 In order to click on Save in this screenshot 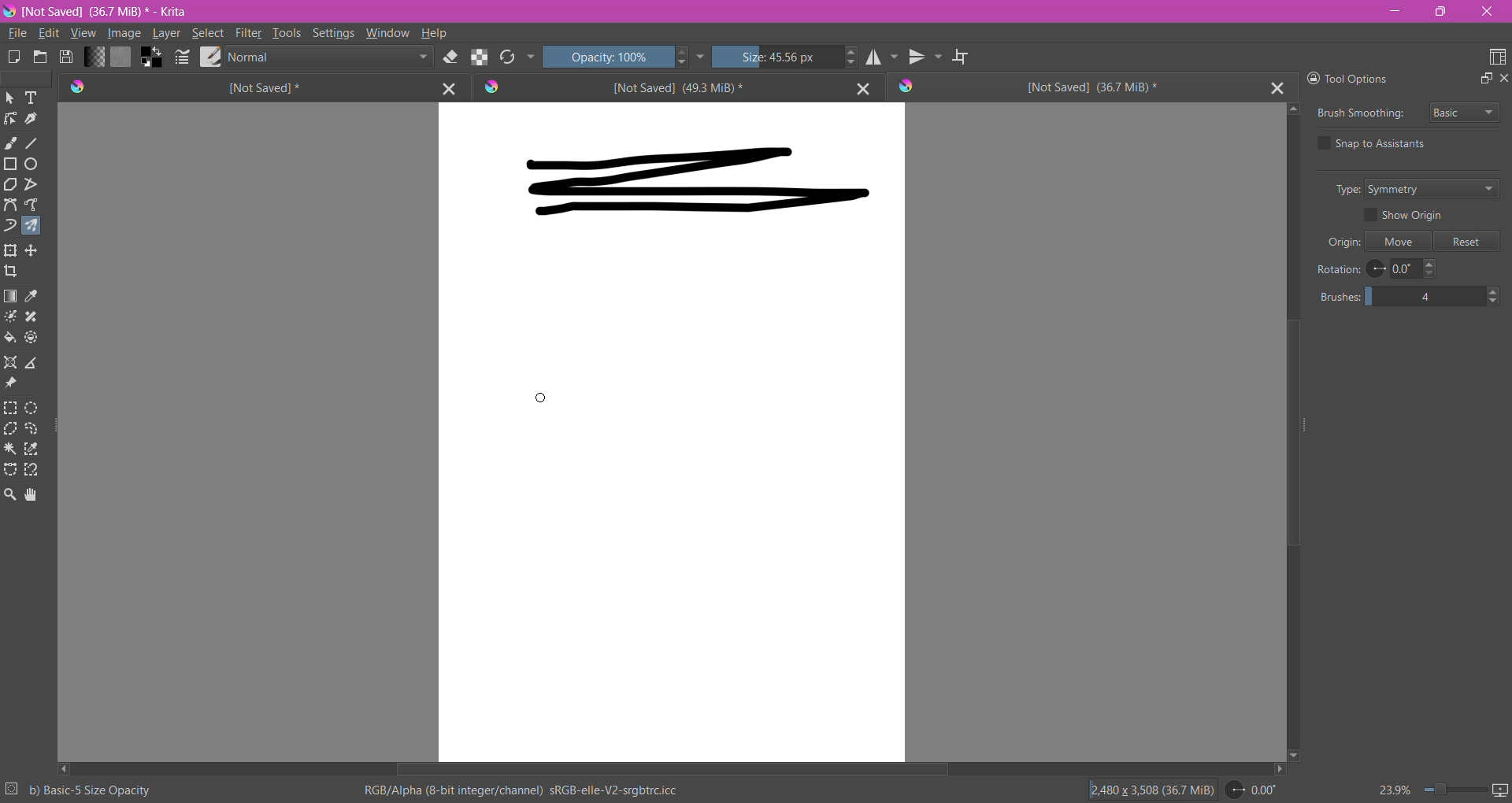, I will do `click(67, 58)`.